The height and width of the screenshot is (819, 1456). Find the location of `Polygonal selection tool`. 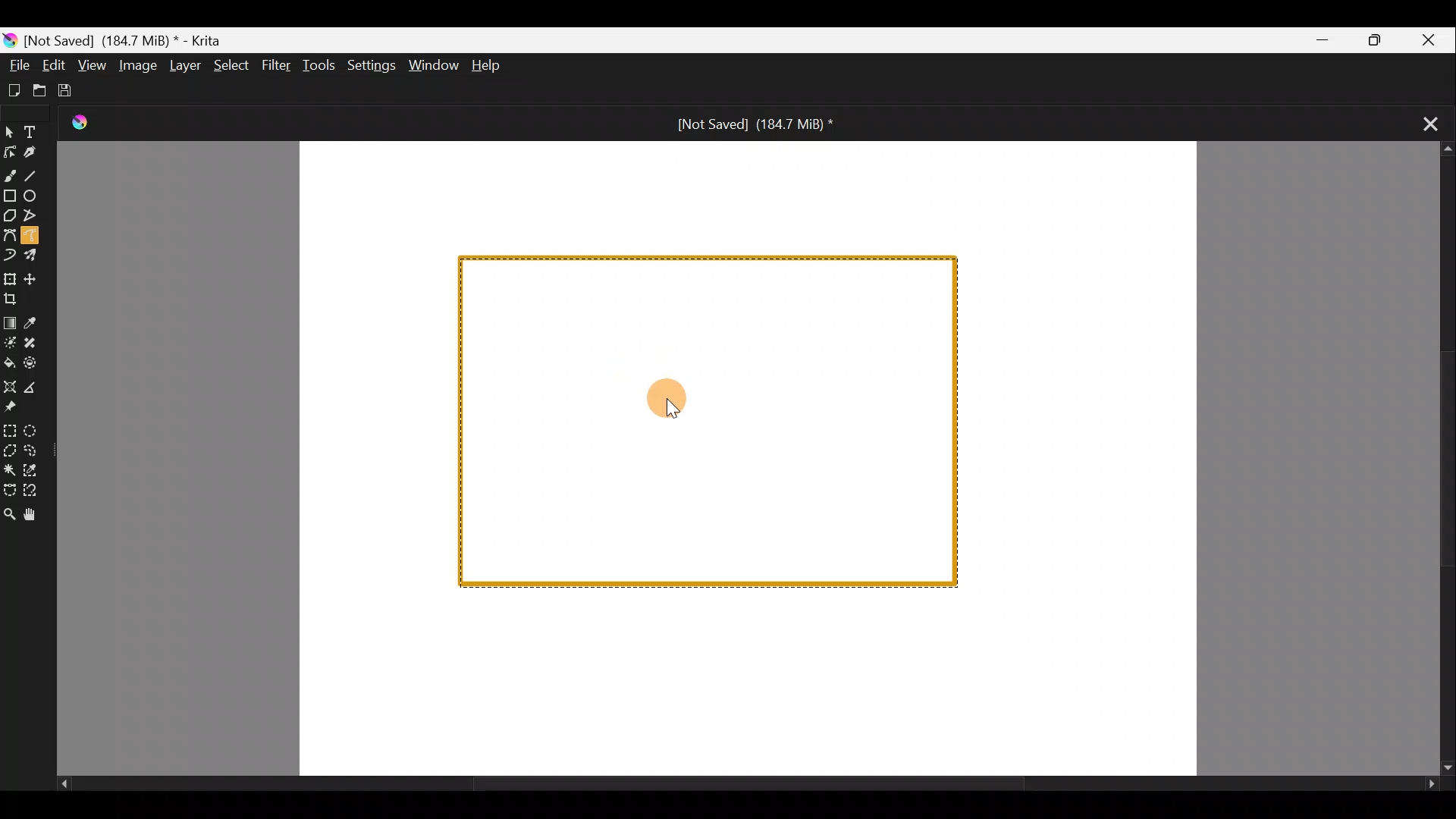

Polygonal selection tool is located at coordinates (9, 452).